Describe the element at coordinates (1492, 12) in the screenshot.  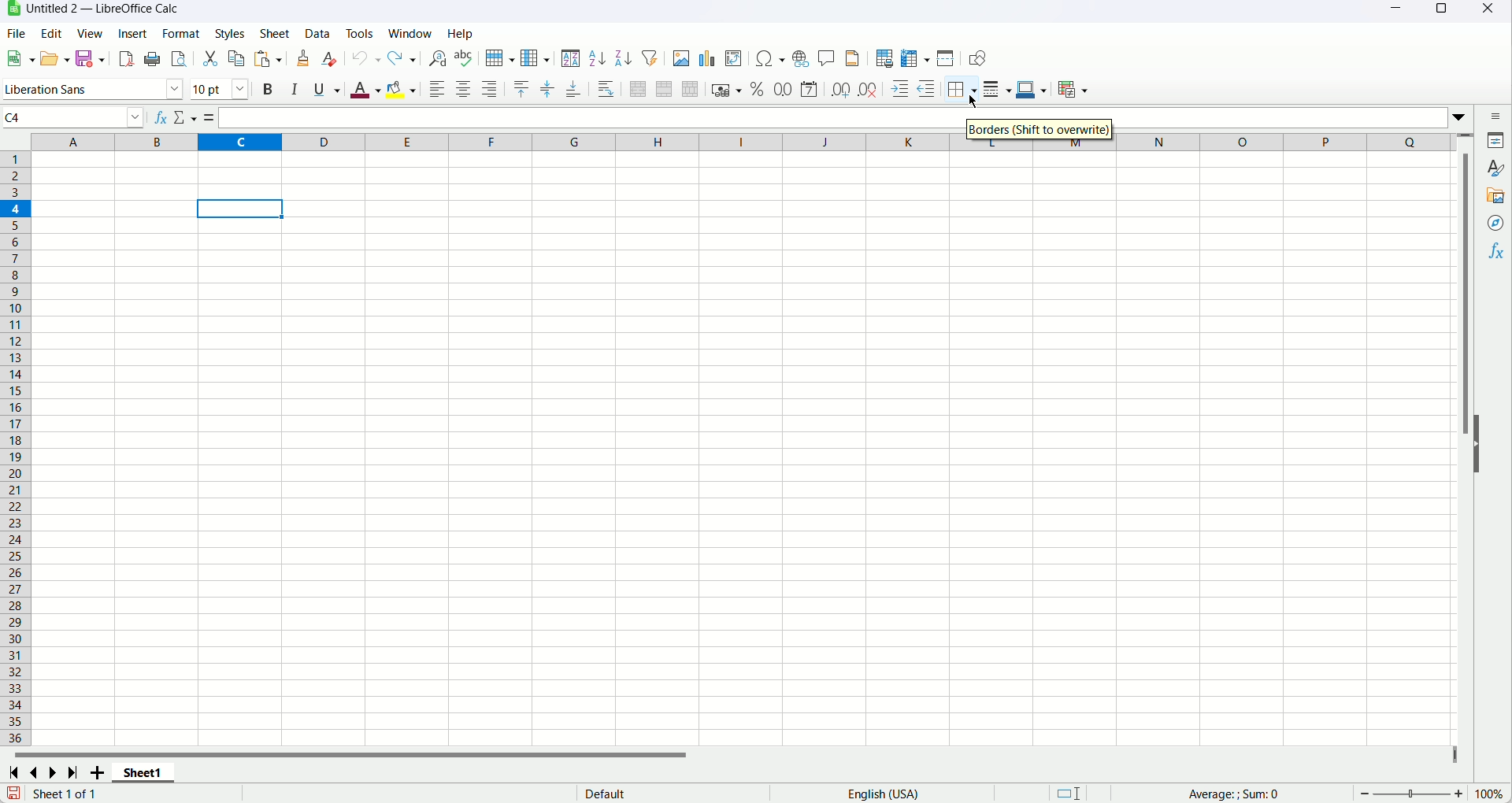
I see `Close` at that location.